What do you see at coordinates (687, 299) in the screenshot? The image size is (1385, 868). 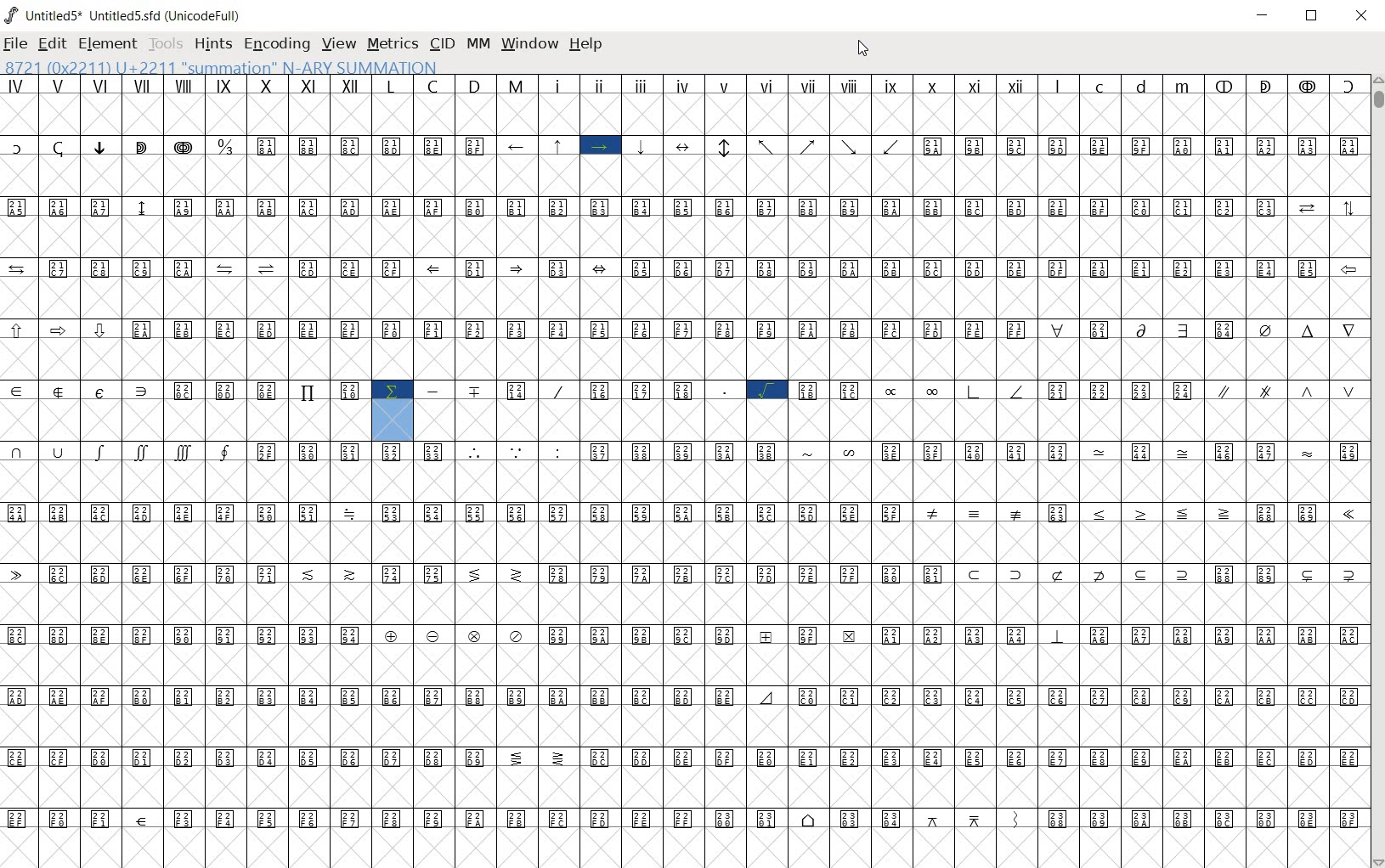 I see `empty cells` at bounding box center [687, 299].